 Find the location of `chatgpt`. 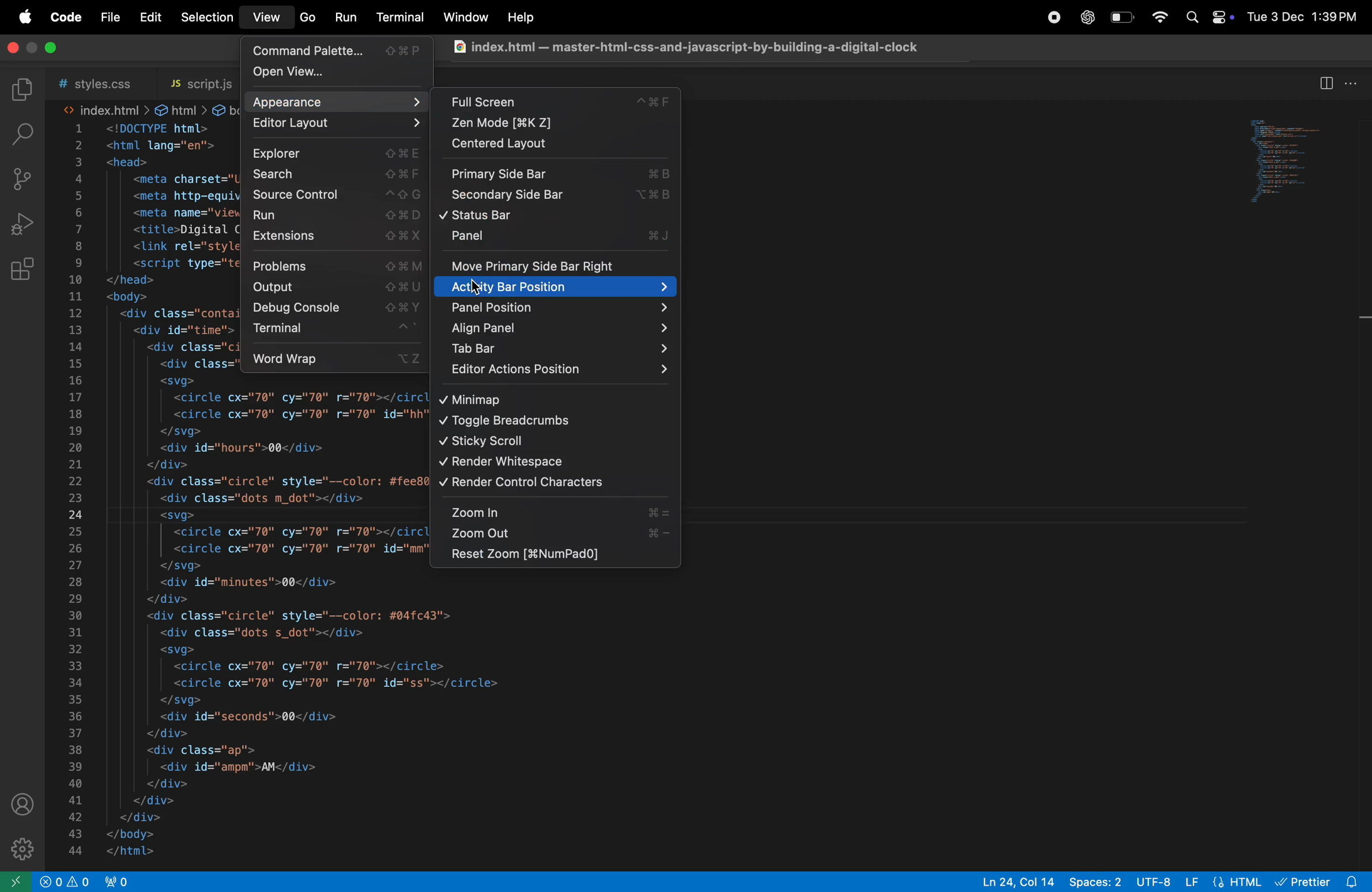

chatgpt is located at coordinates (1085, 17).